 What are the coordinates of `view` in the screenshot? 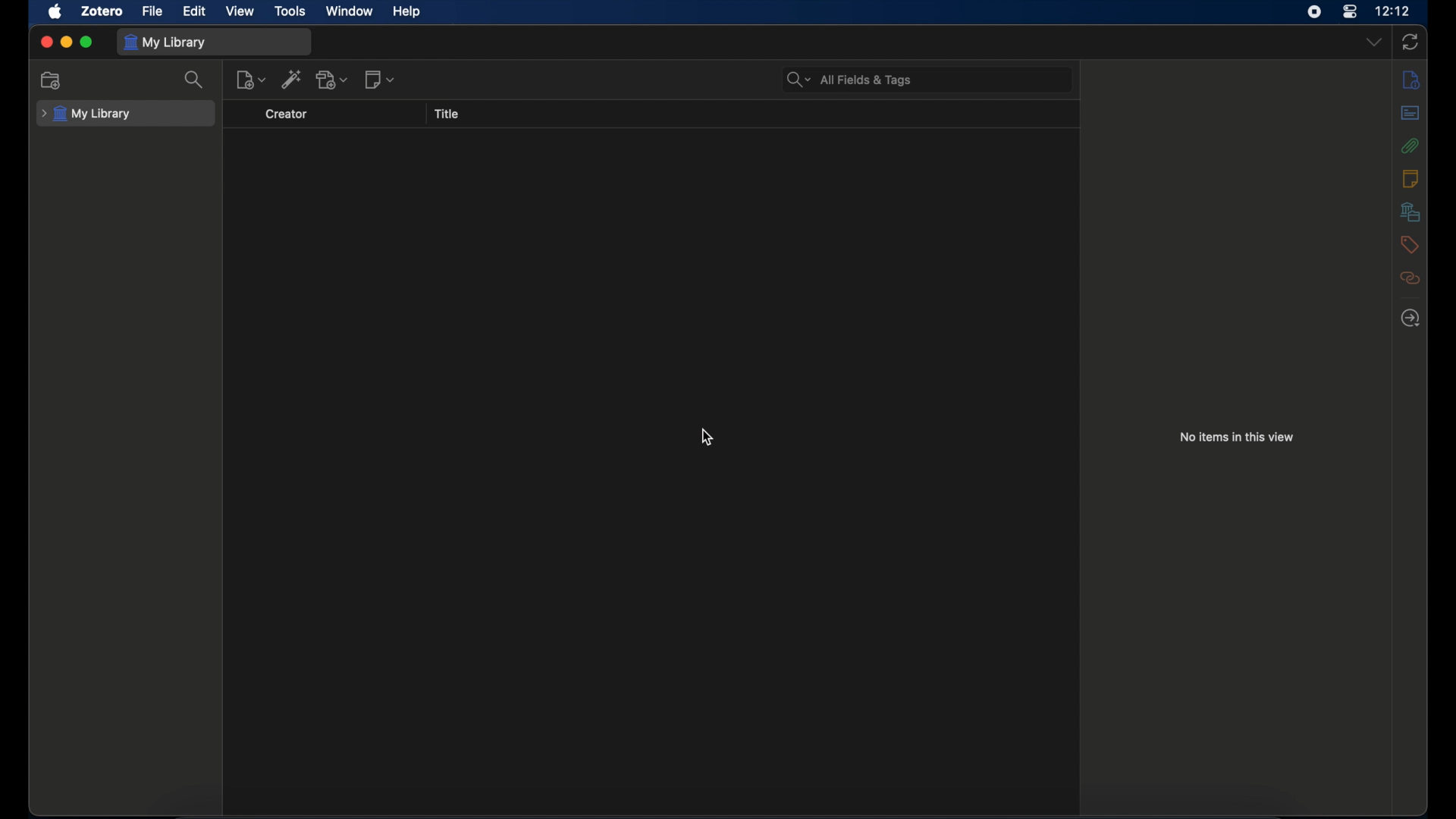 It's located at (238, 11).